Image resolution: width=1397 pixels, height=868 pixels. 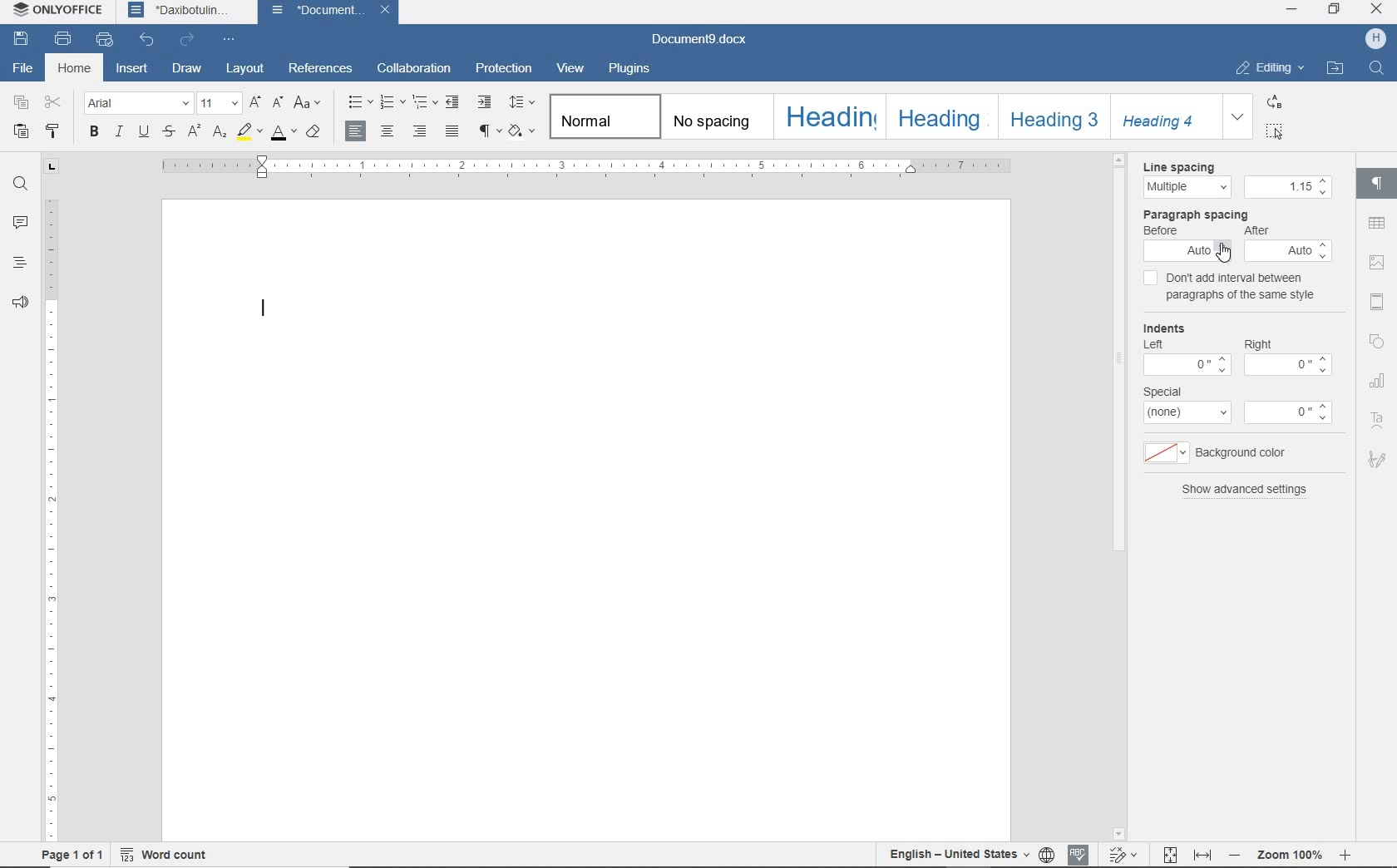 I want to click on OPEN FILE LOCATION, so click(x=1335, y=67).